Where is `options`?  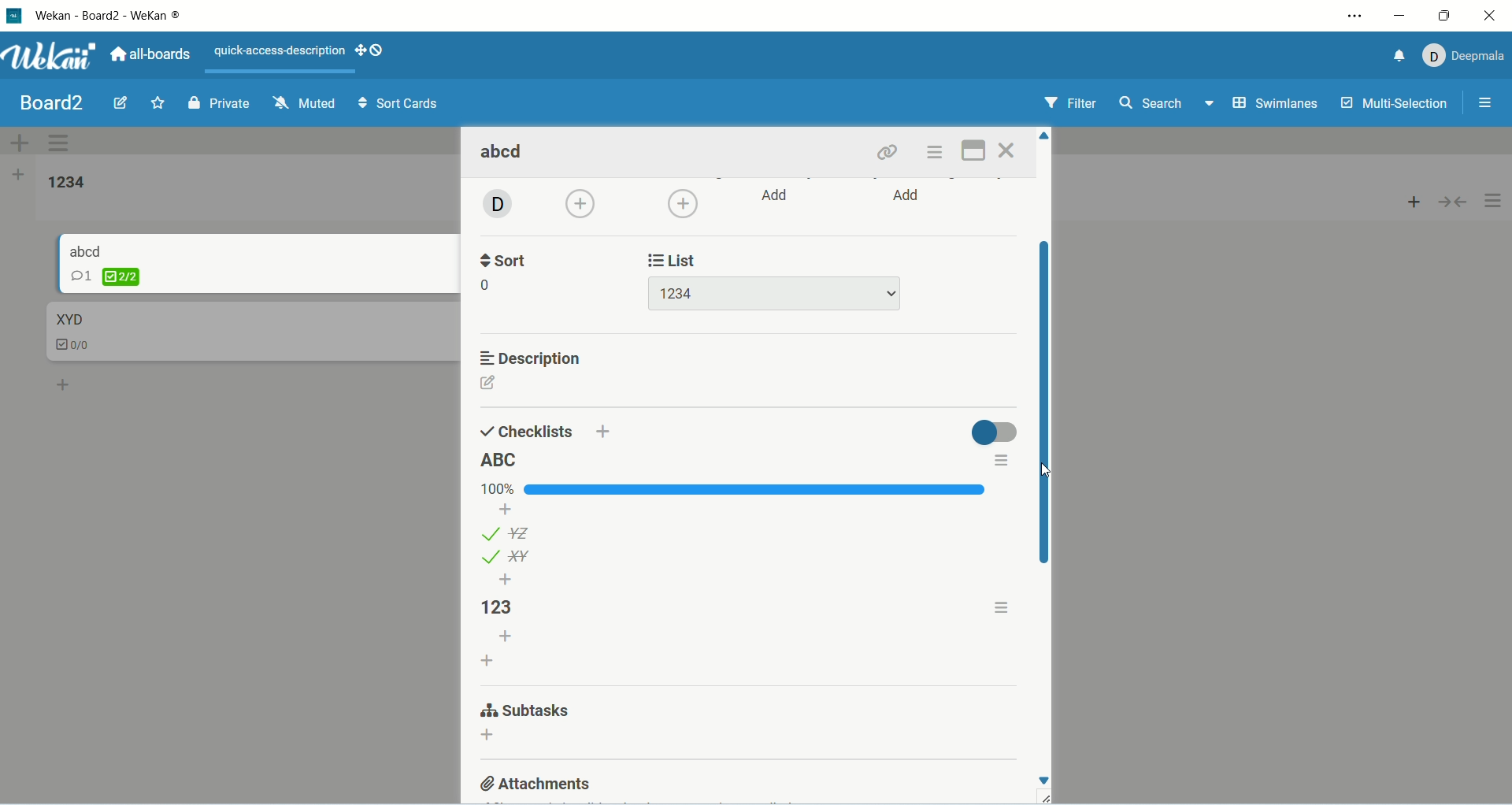 options is located at coordinates (1490, 101).